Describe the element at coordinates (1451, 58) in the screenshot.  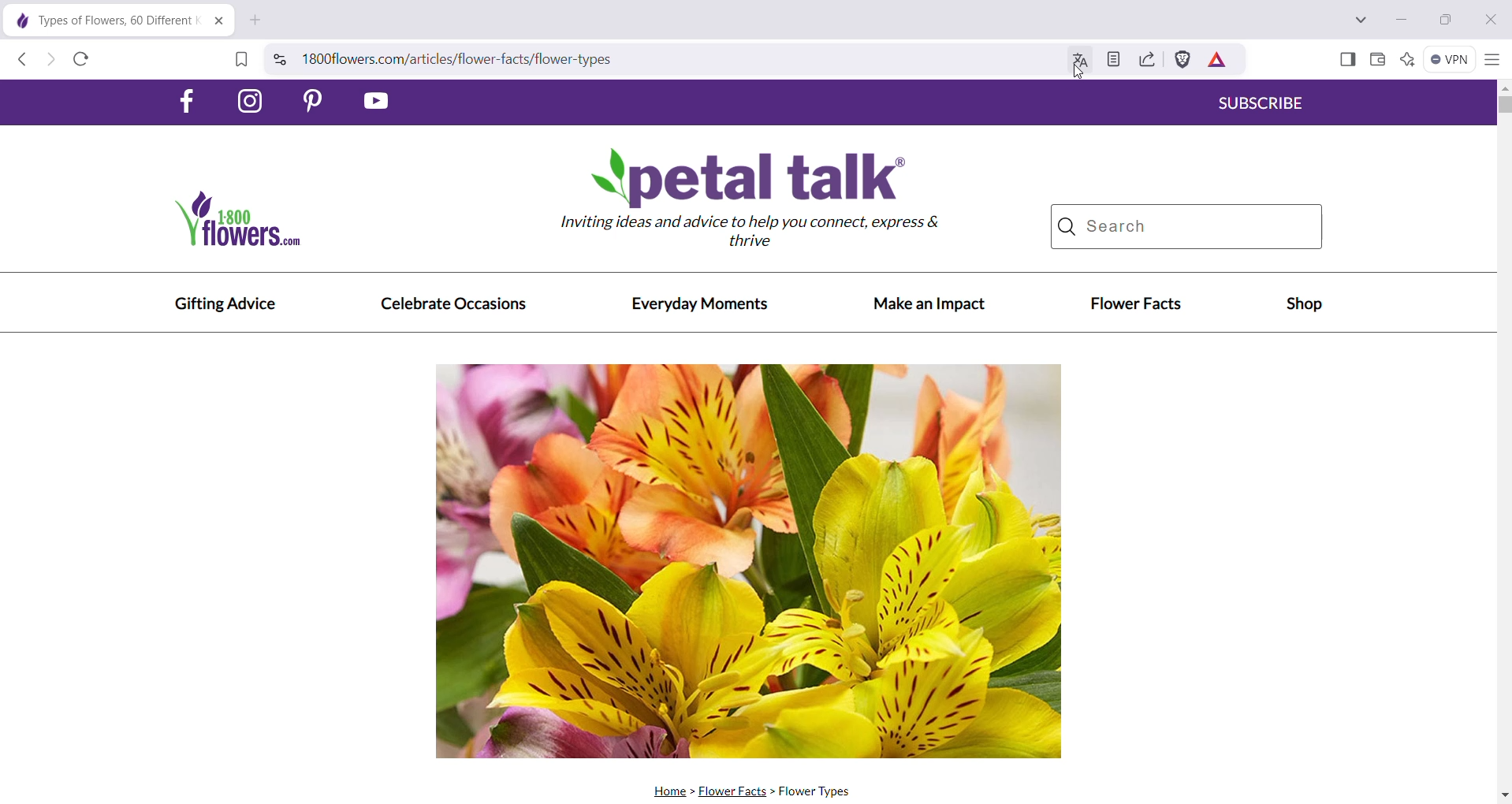
I see `Brave Firewall + VPN` at that location.